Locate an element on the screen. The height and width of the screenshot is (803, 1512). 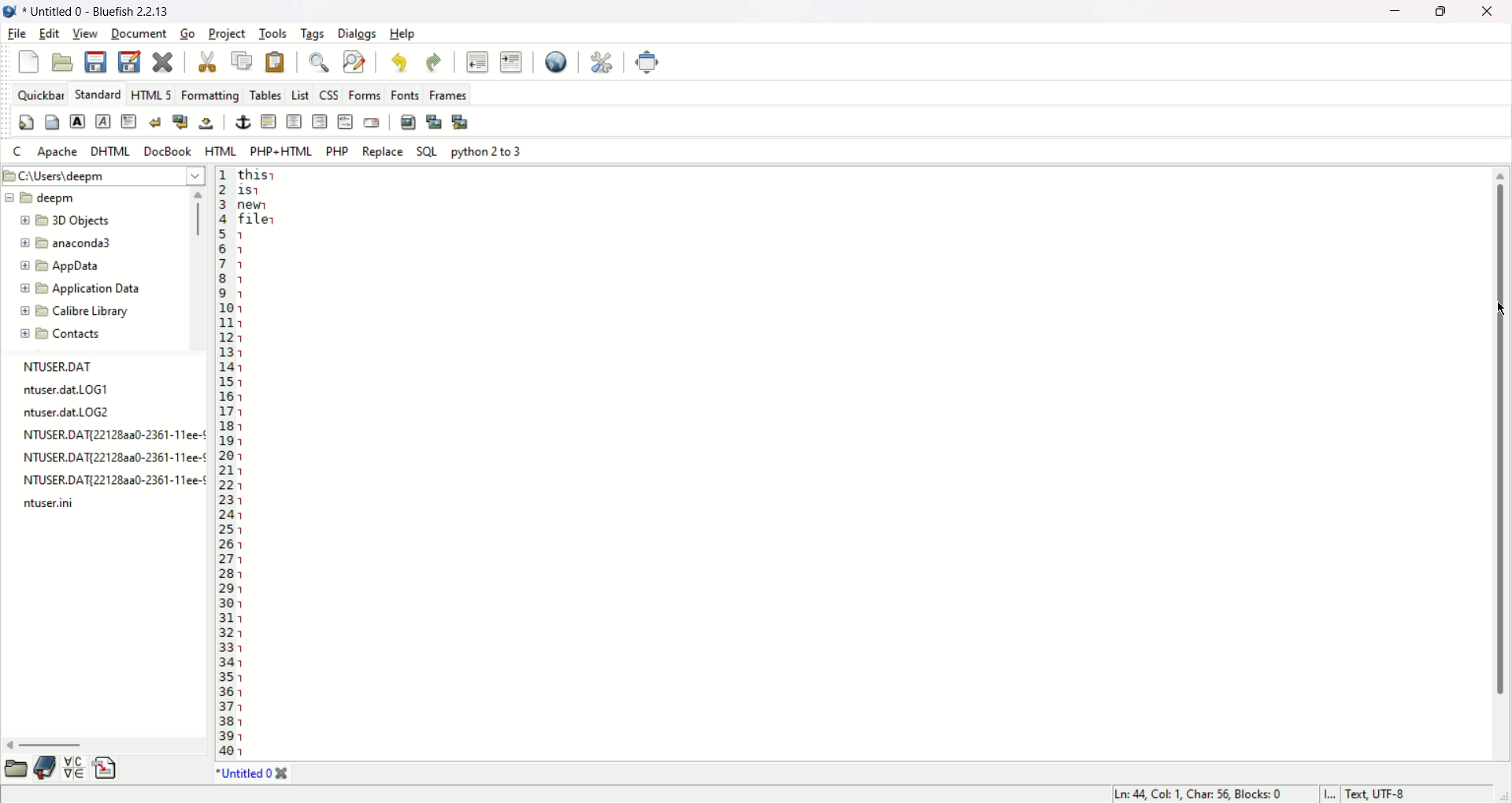
frames is located at coordinates (447, 94).